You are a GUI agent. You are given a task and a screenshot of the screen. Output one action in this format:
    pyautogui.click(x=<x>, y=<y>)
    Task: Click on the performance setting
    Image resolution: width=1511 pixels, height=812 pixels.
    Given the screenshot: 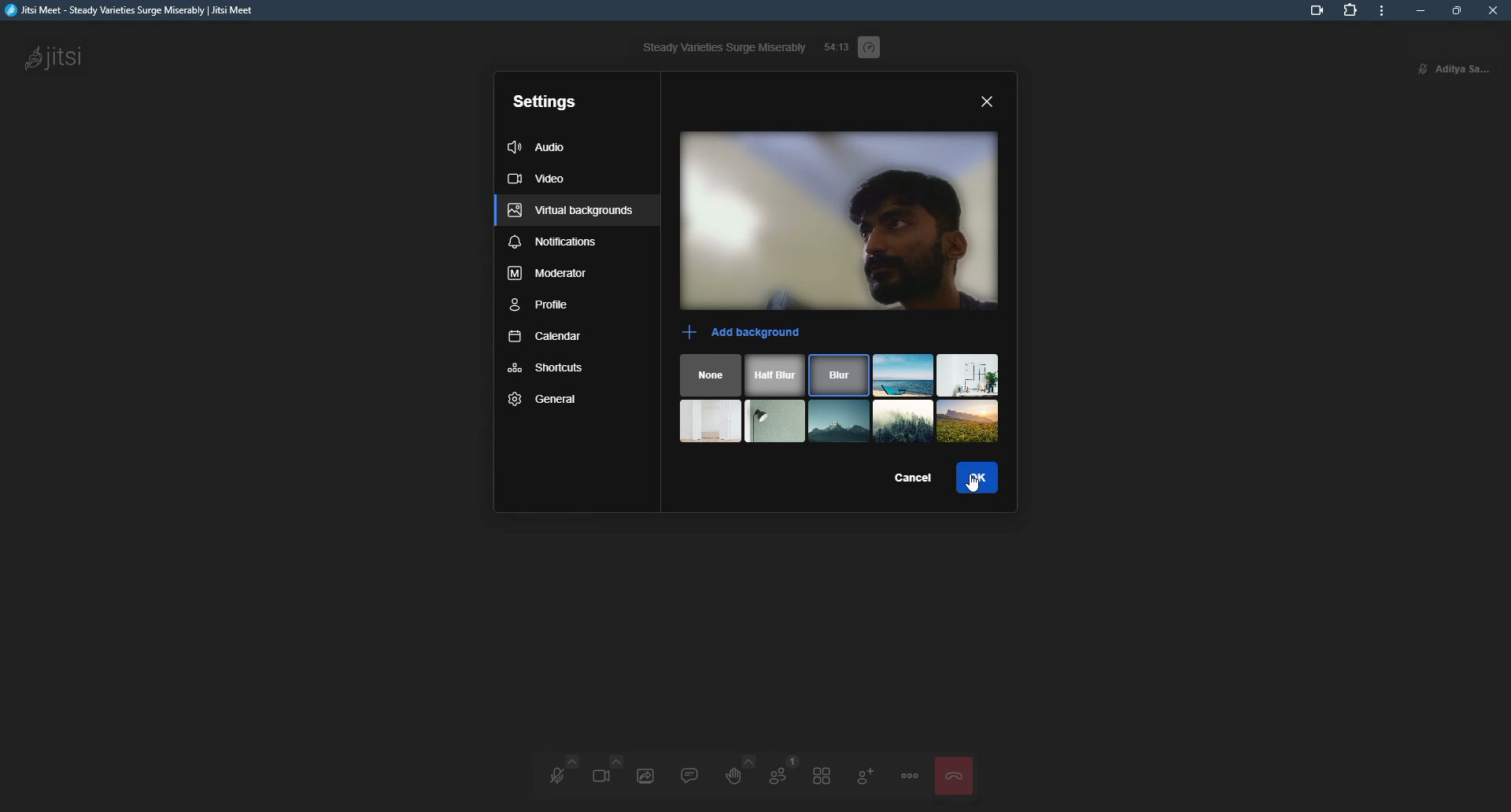 What is the action you would take?
    pyautogui.click(x=870, y=48)
    